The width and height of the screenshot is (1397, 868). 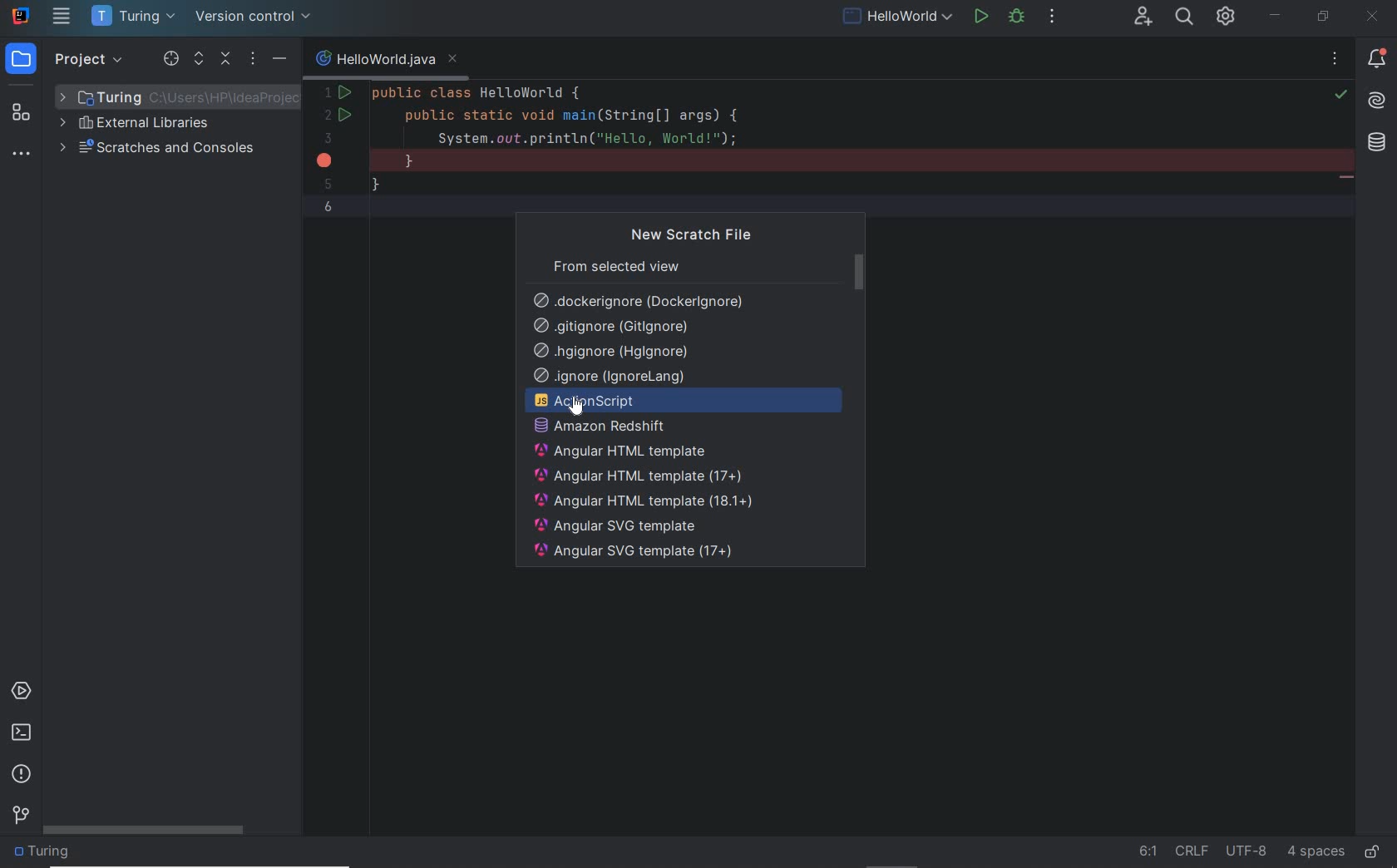 I want to click on actionscript, so click(x=685, y=402).